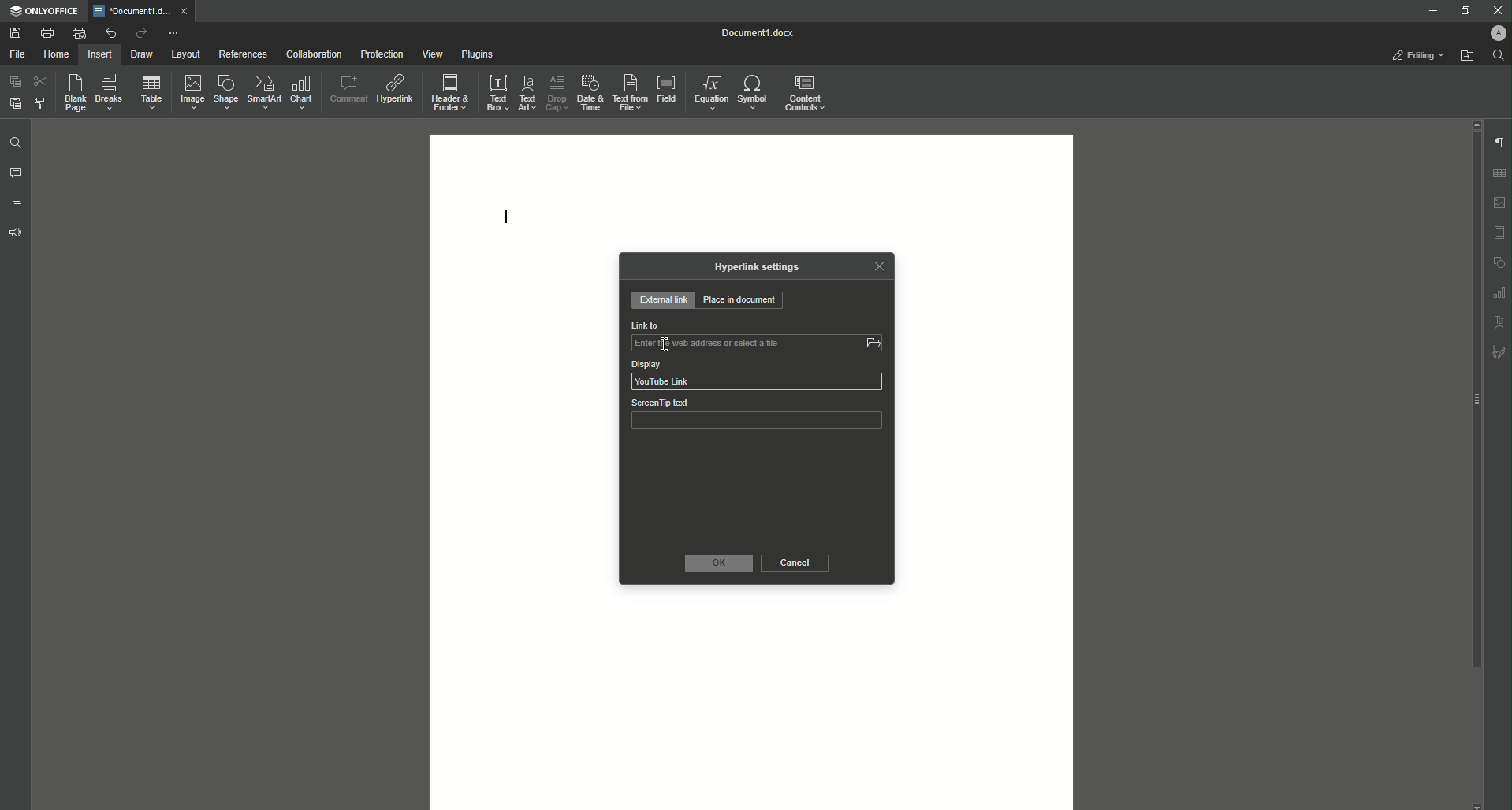 This screenshot has width=1512, height=810. What do you see at coordinates (15, 81) in the screenshot?
I see `Copy` at bounding box center [15, 81].